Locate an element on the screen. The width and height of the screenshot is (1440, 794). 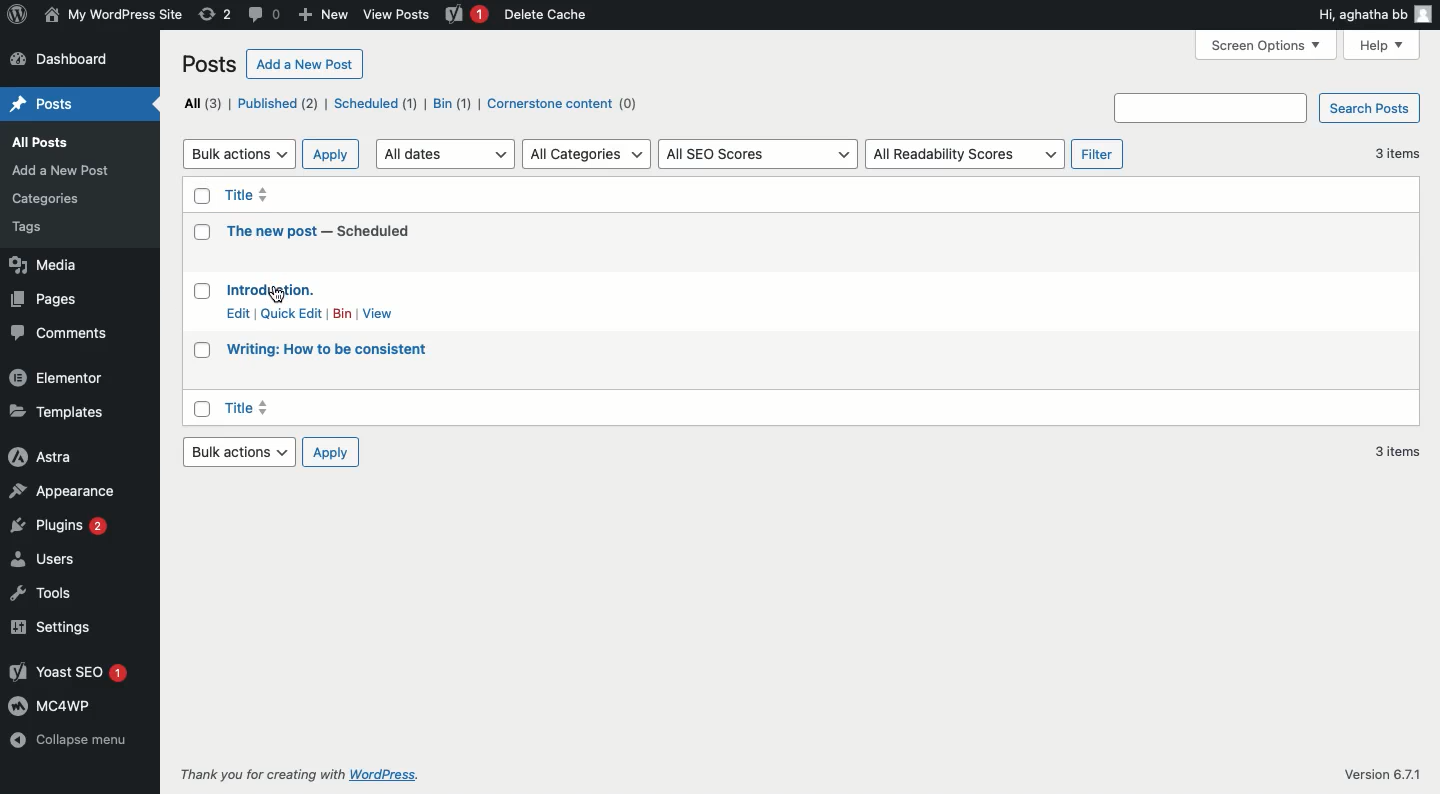
Templates is located at coordinates (57, 410).